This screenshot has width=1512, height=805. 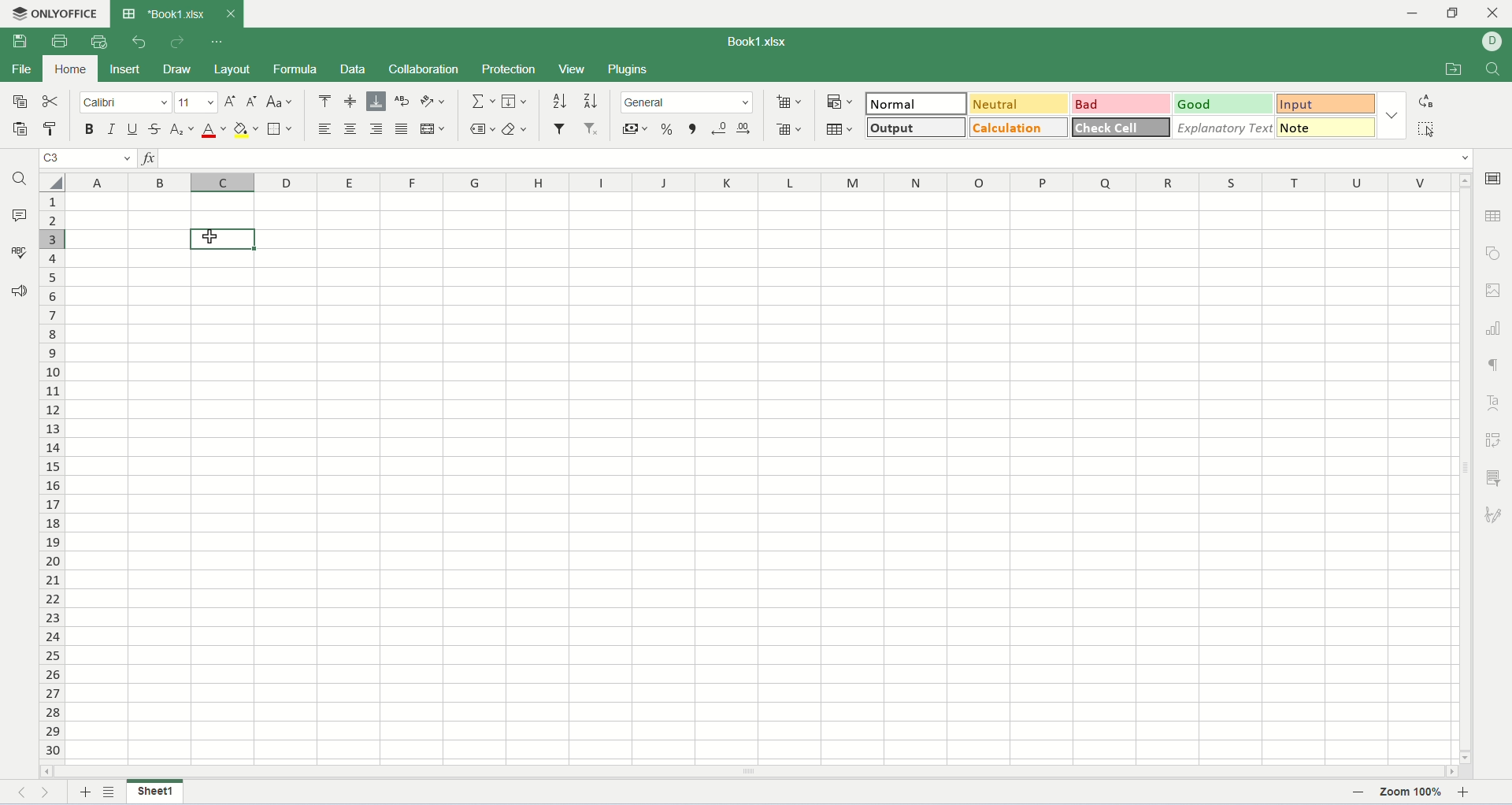 I want to click on zoom percent, so click(x=1414, y=793).